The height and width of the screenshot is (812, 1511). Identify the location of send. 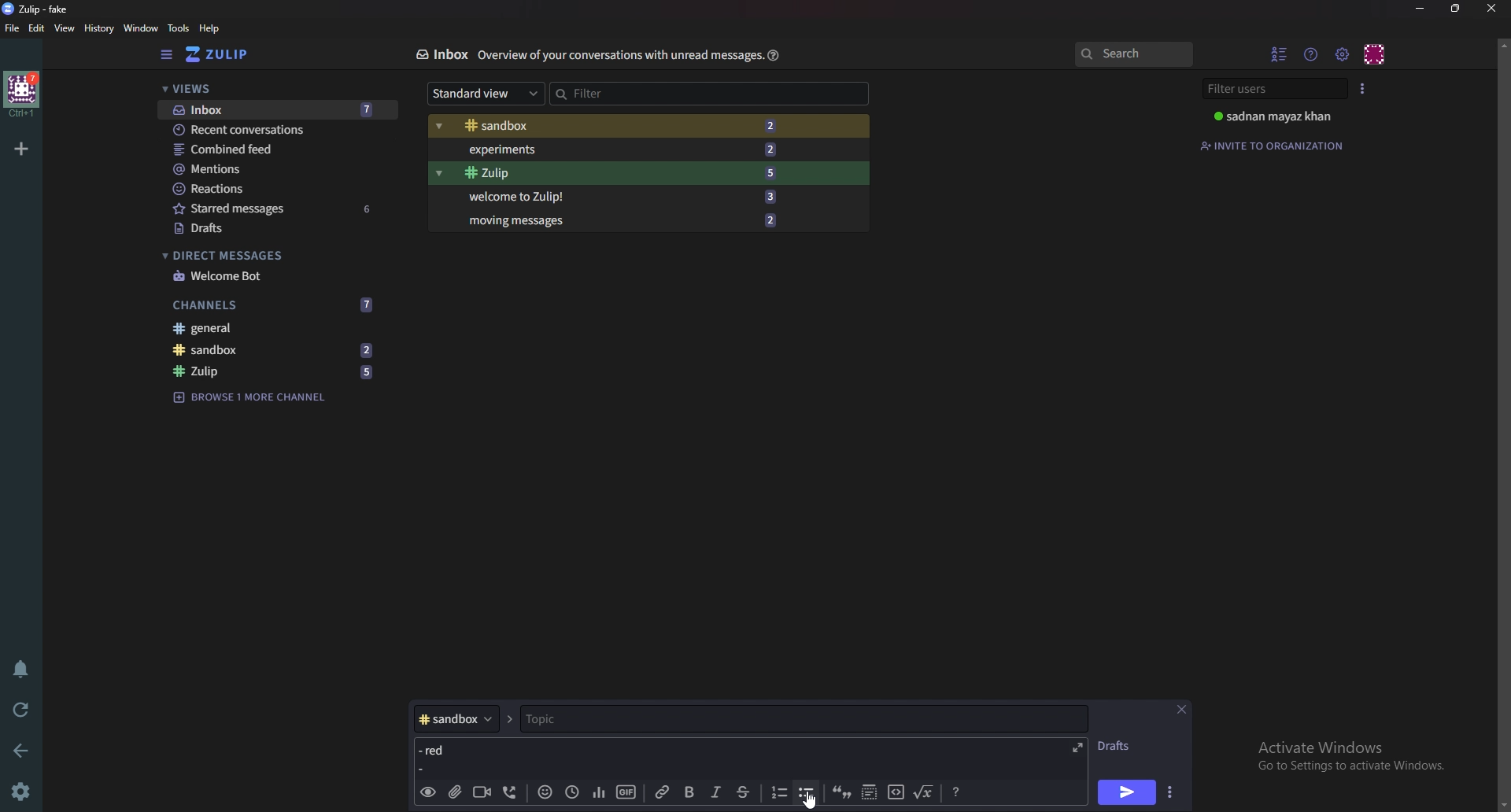
(1125, 794).